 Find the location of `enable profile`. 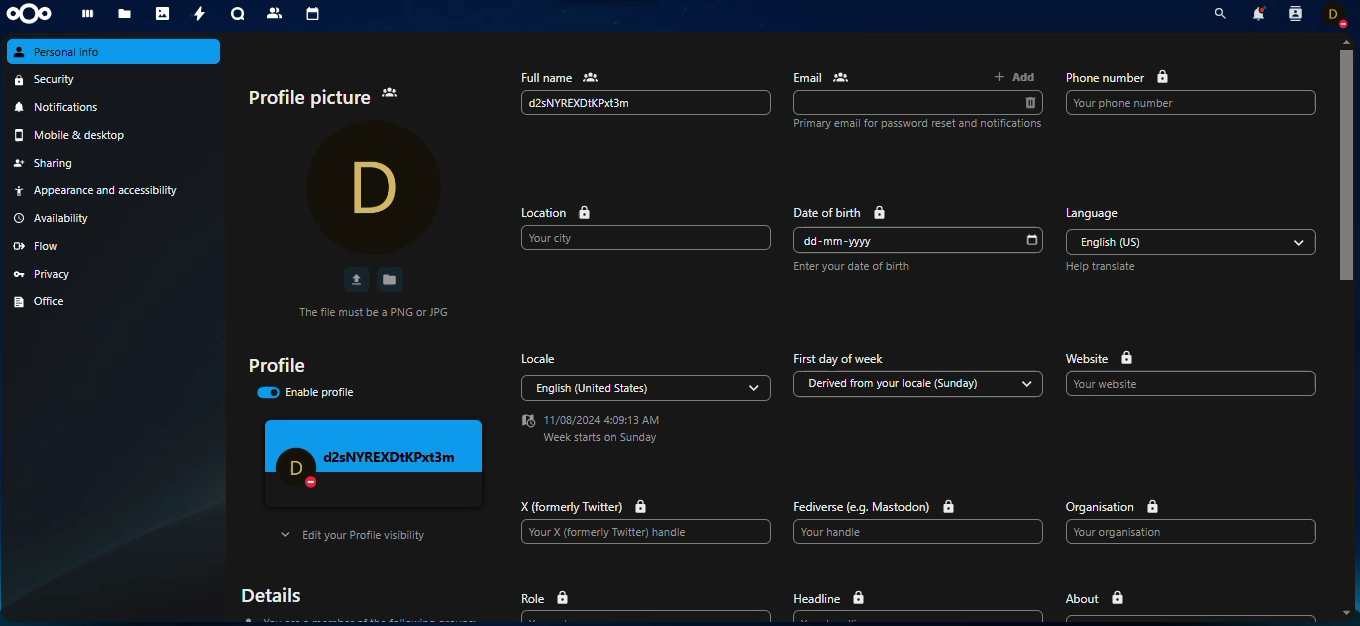

enable profile is located at coordinates (307, 393).